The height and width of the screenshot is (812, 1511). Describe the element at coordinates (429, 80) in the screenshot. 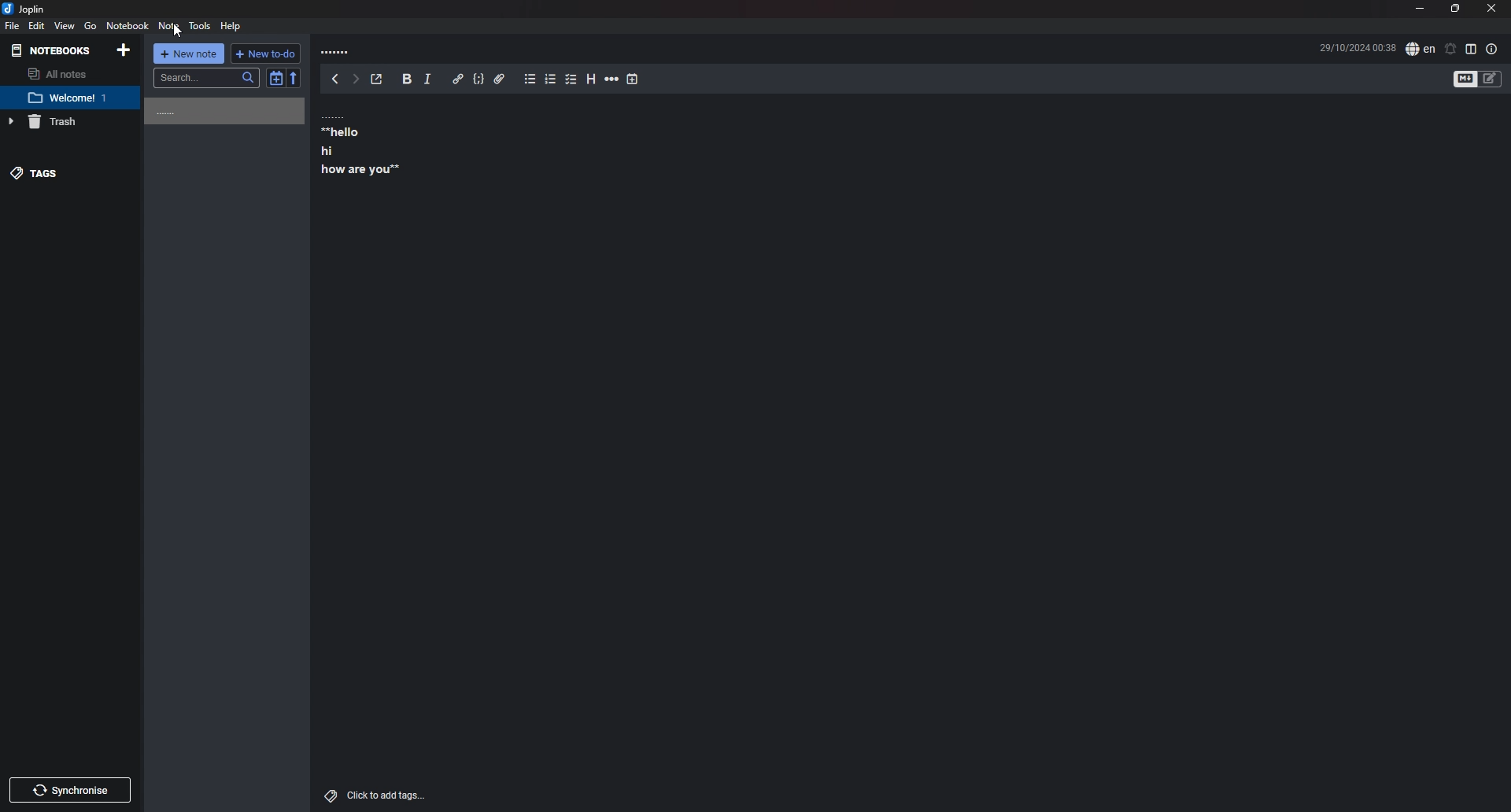

I see `Italic` at that location.